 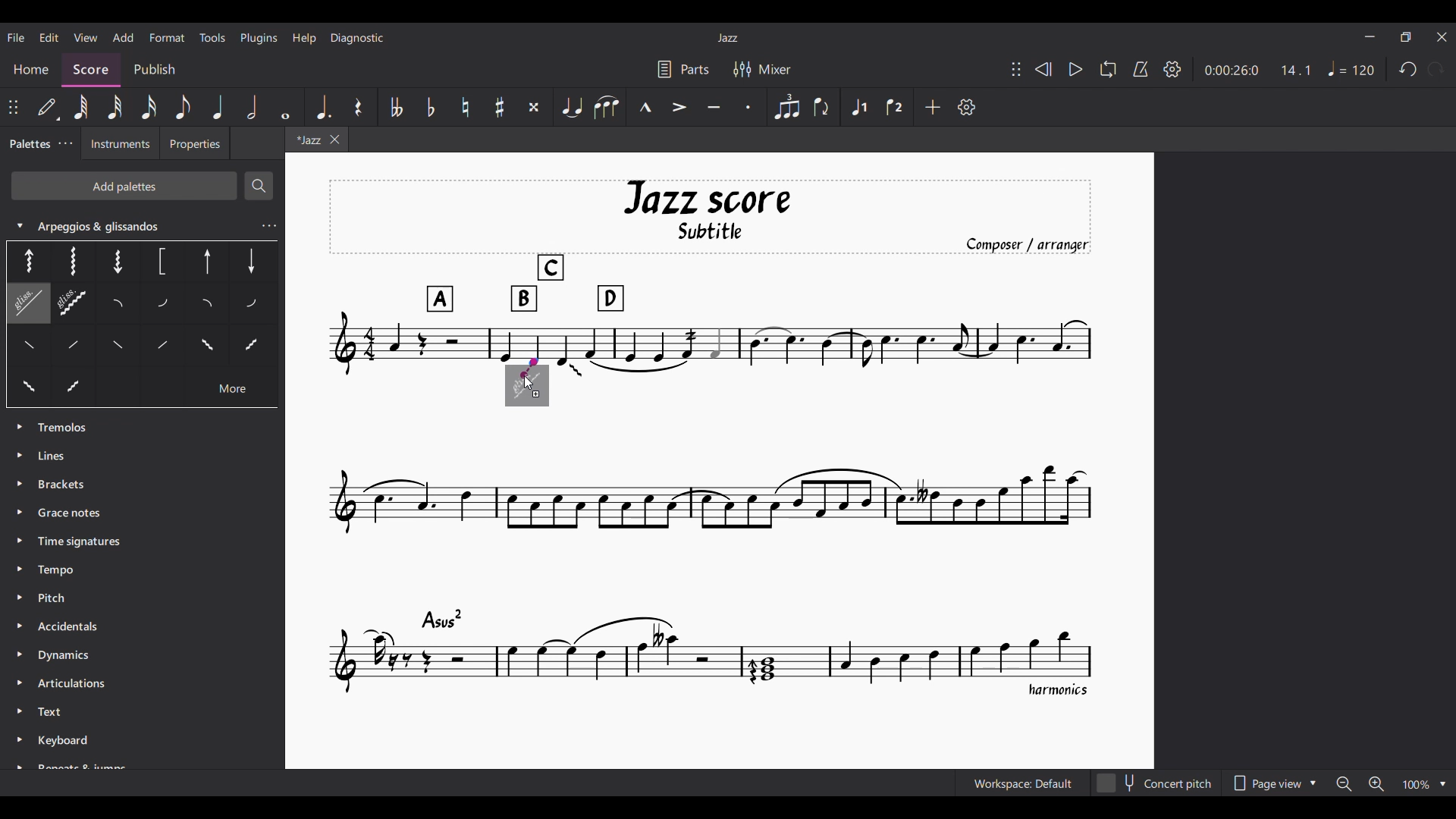 What do you see at coordinates (711, 439) in the screenshot?
I see `Current score` at bounding box center [711, 439].